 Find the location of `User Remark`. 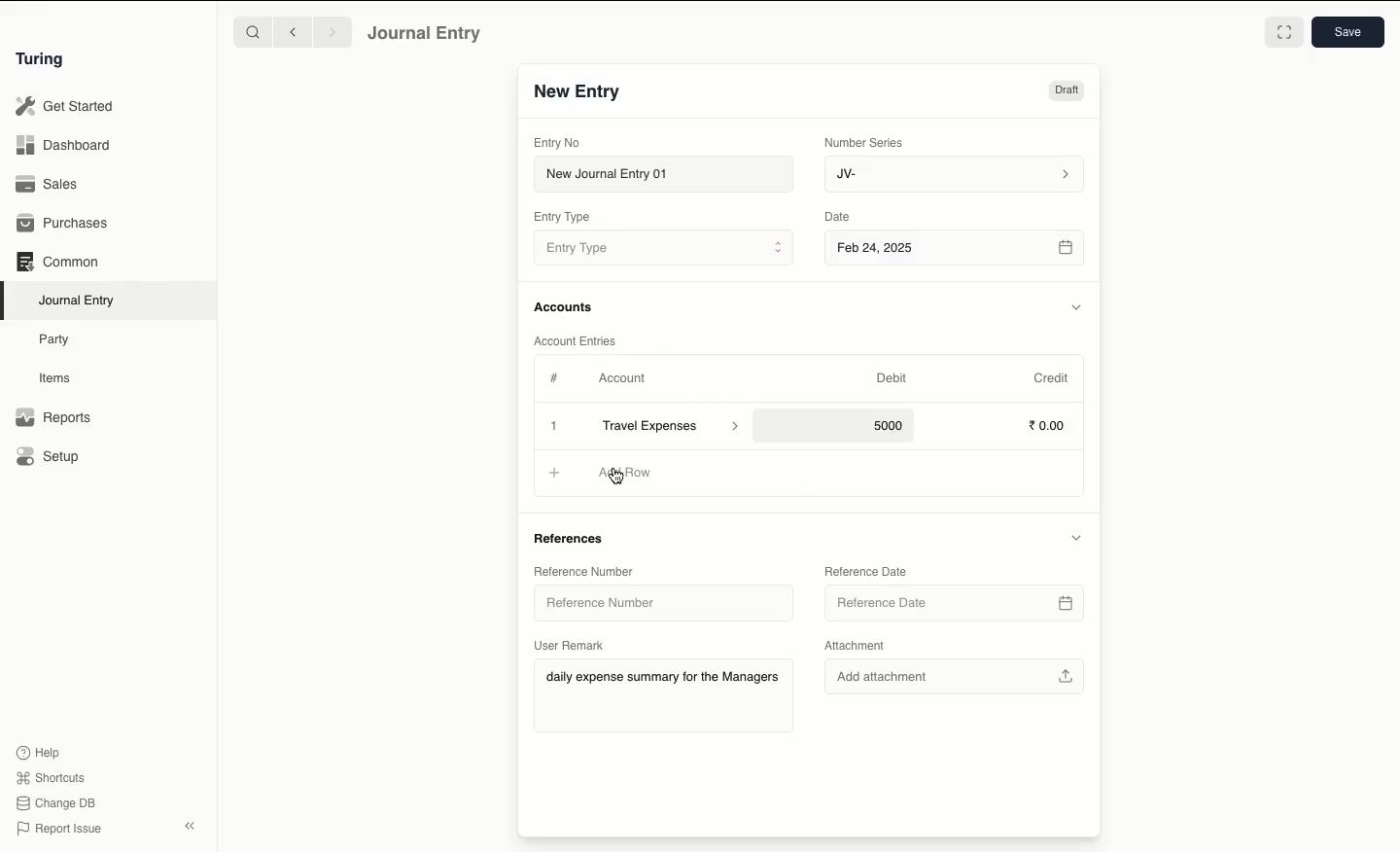

User Remark is located at coordinates (572, 645).